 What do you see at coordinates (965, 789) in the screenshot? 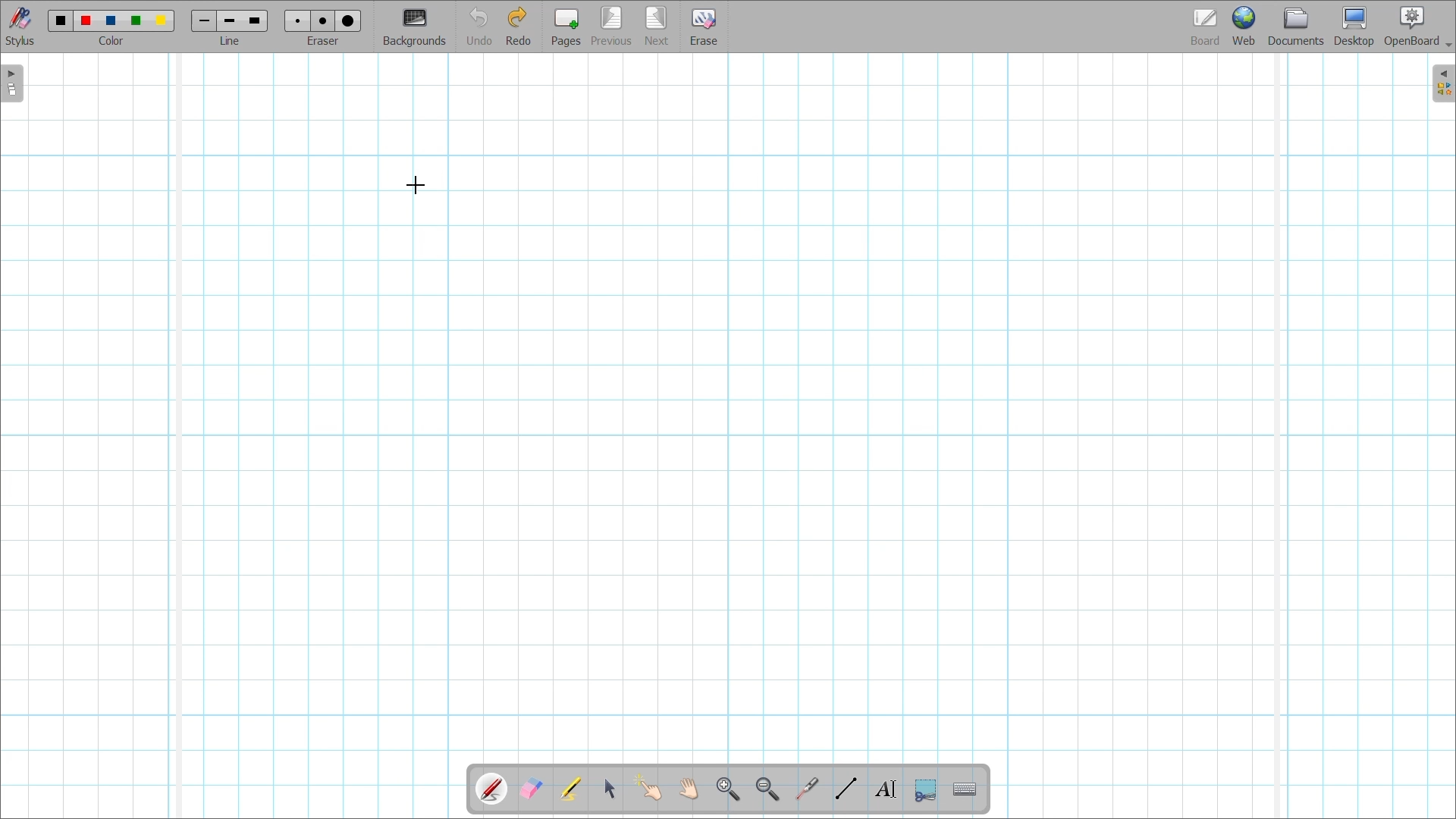
I see `Display virtual keyboard ` at bounding box center [965, 789].